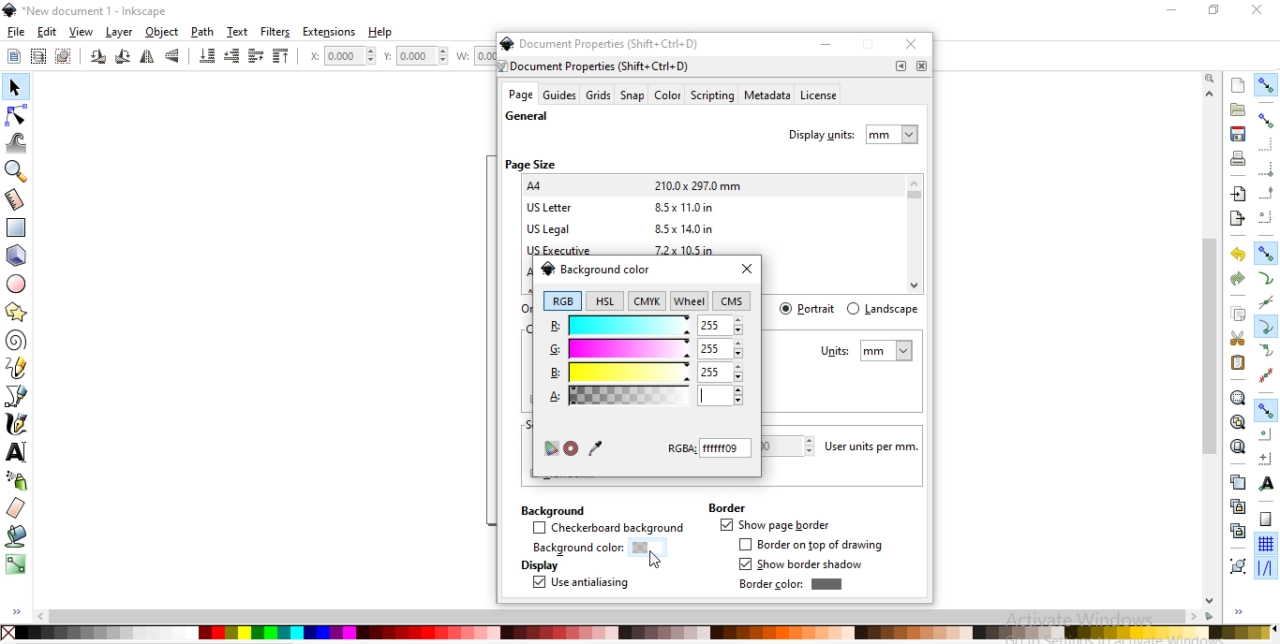 The width and height of the screenshot is (1280, 644). Describe the element at coordinates (231, 57) in the screenshot. I see `lower selection one step` at that location.